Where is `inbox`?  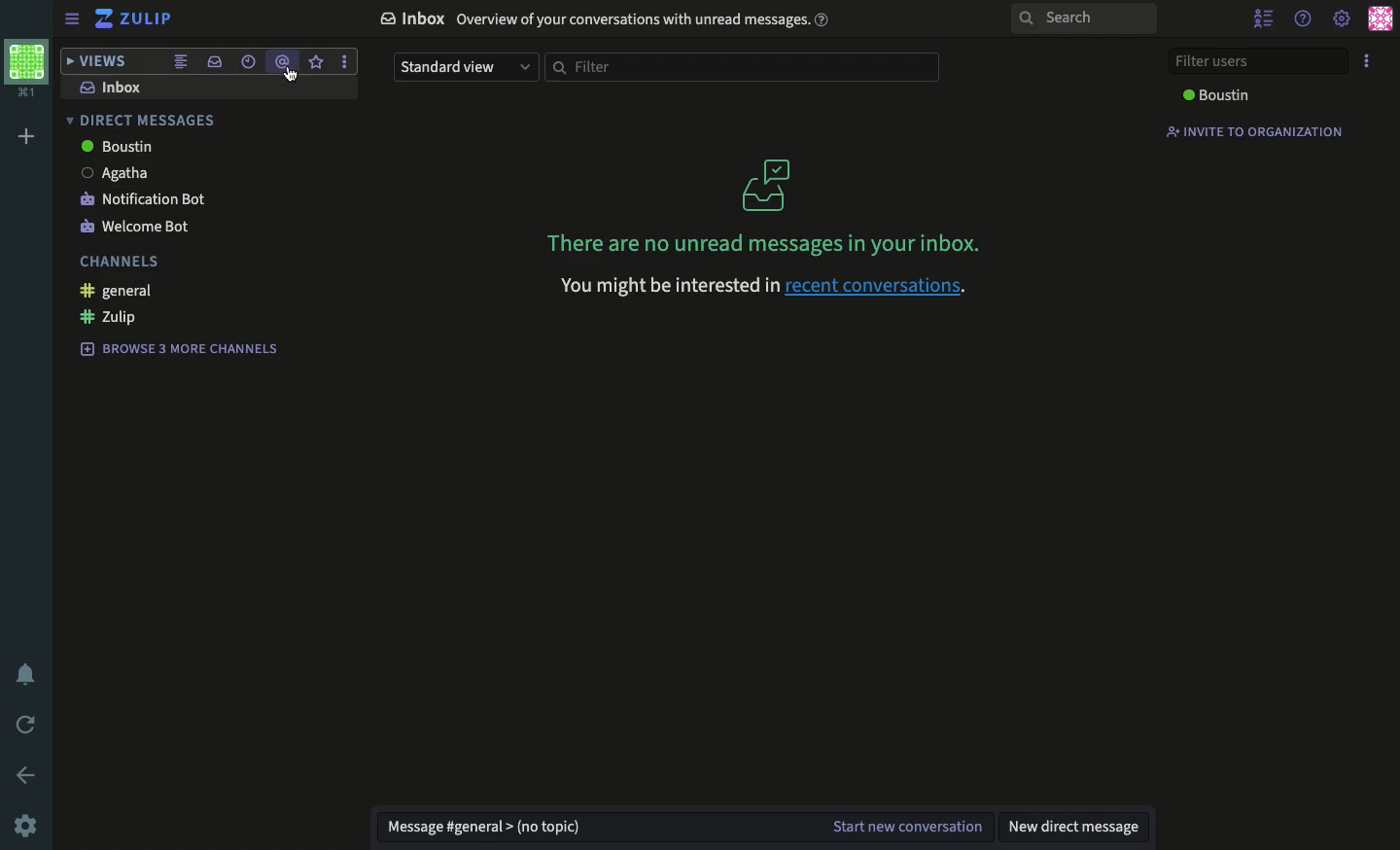
inbox is located at coordinates (607, 19).